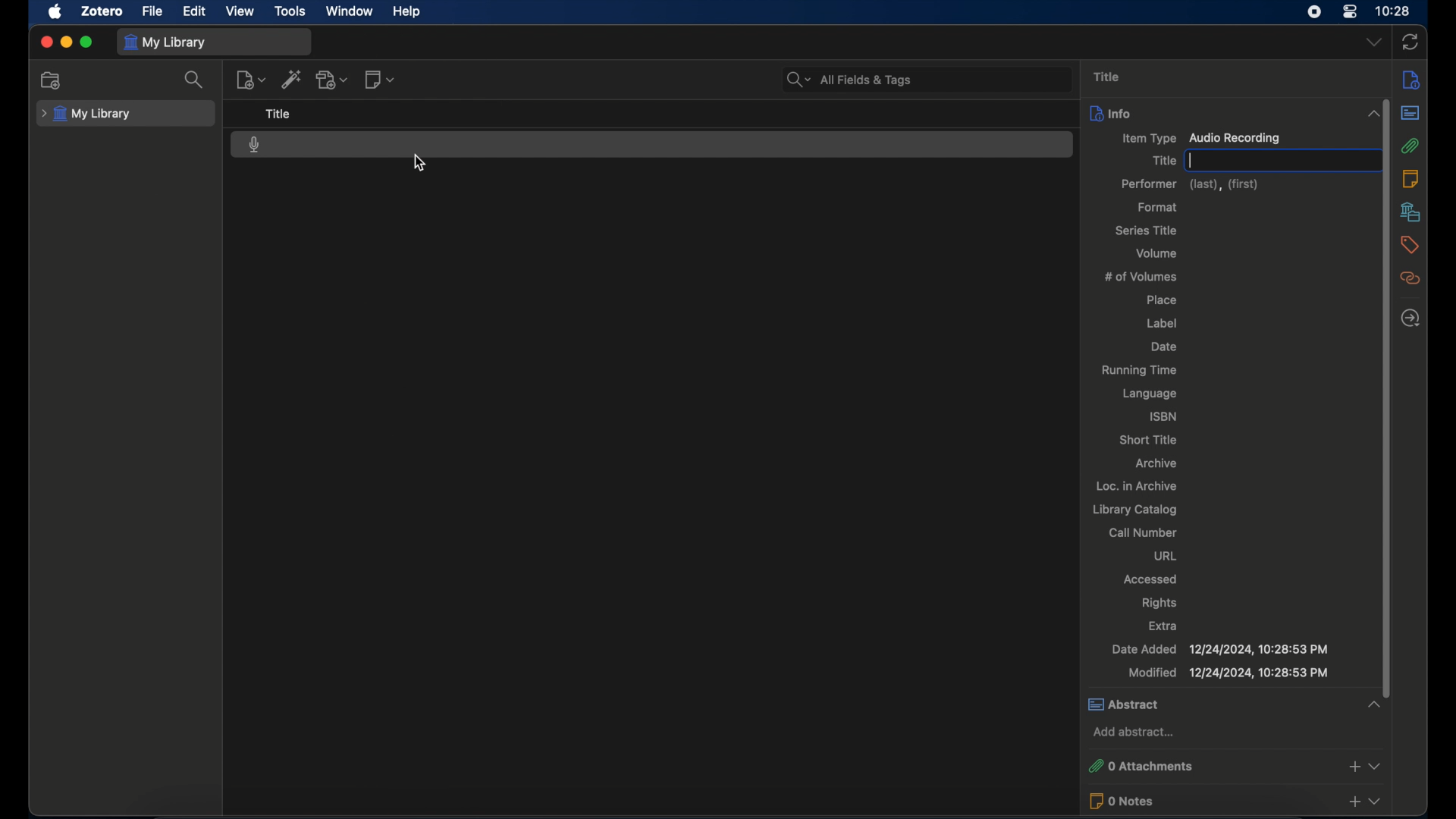 The image size is (1456, 819). I want to click on all fields & tags, so click(848, 79).